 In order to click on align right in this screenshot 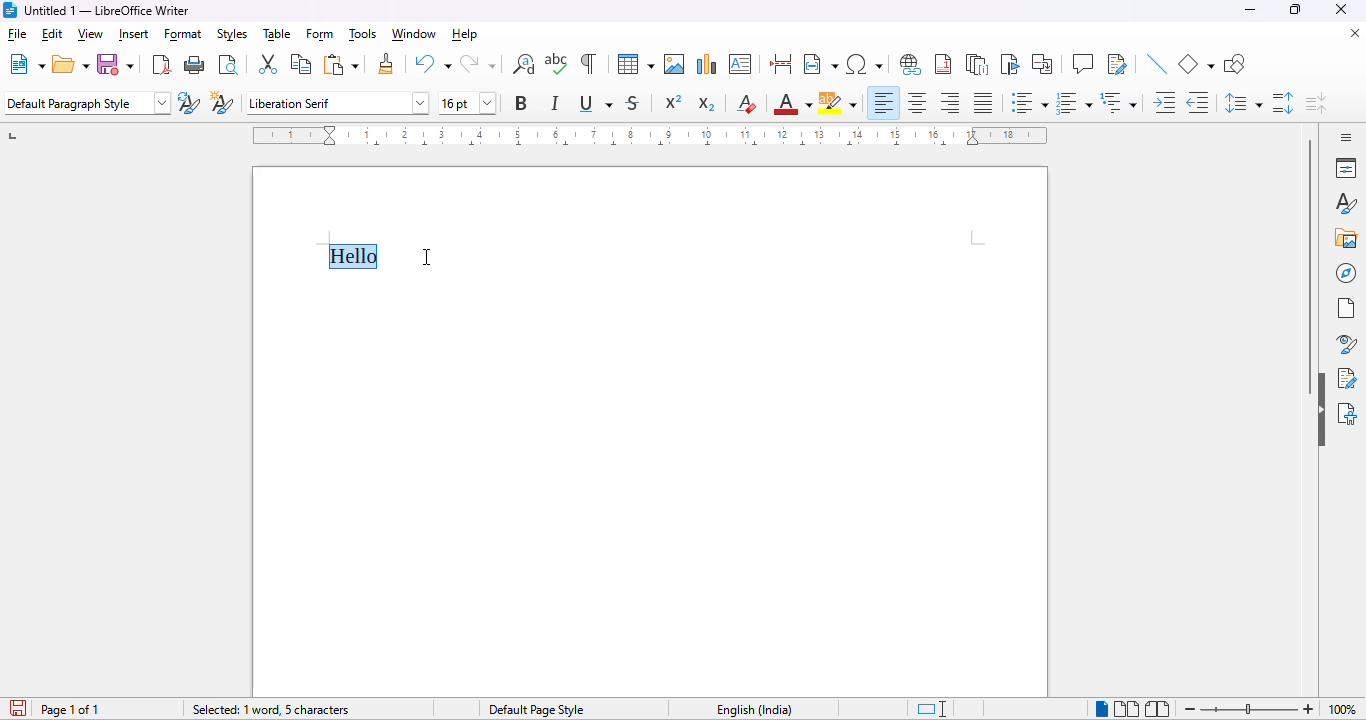, I will do `click(950, 103)`.